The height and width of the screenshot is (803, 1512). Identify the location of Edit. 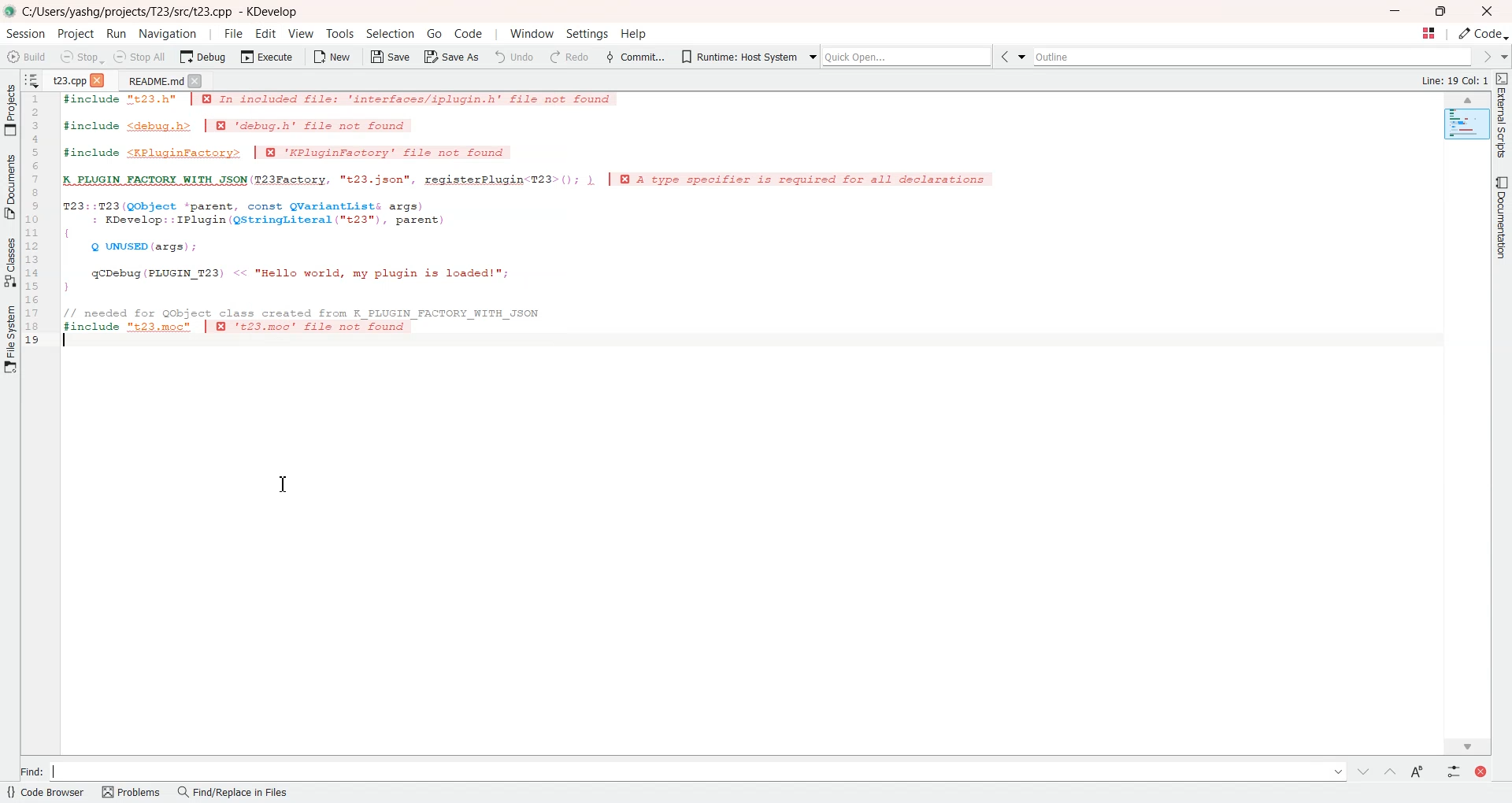
(267, 33).